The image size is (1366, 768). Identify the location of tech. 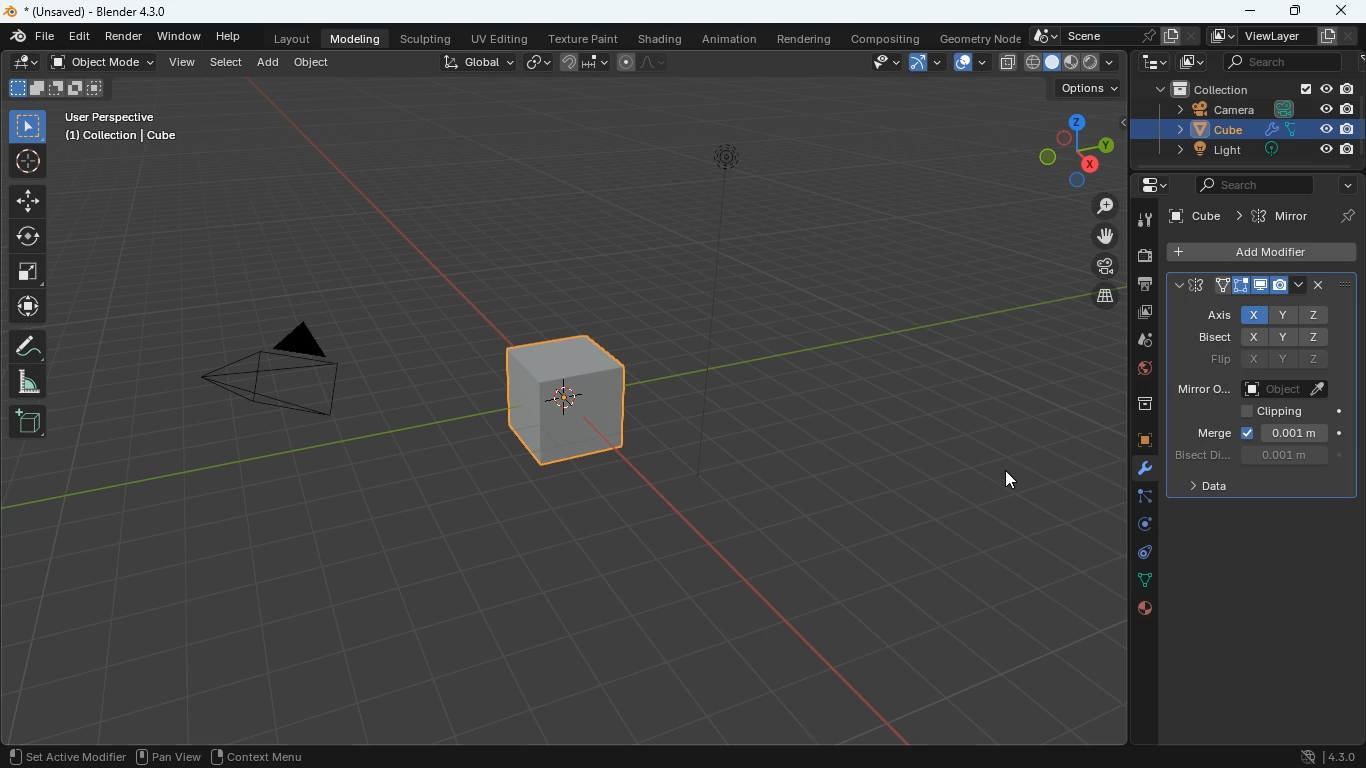
(1147, 63).